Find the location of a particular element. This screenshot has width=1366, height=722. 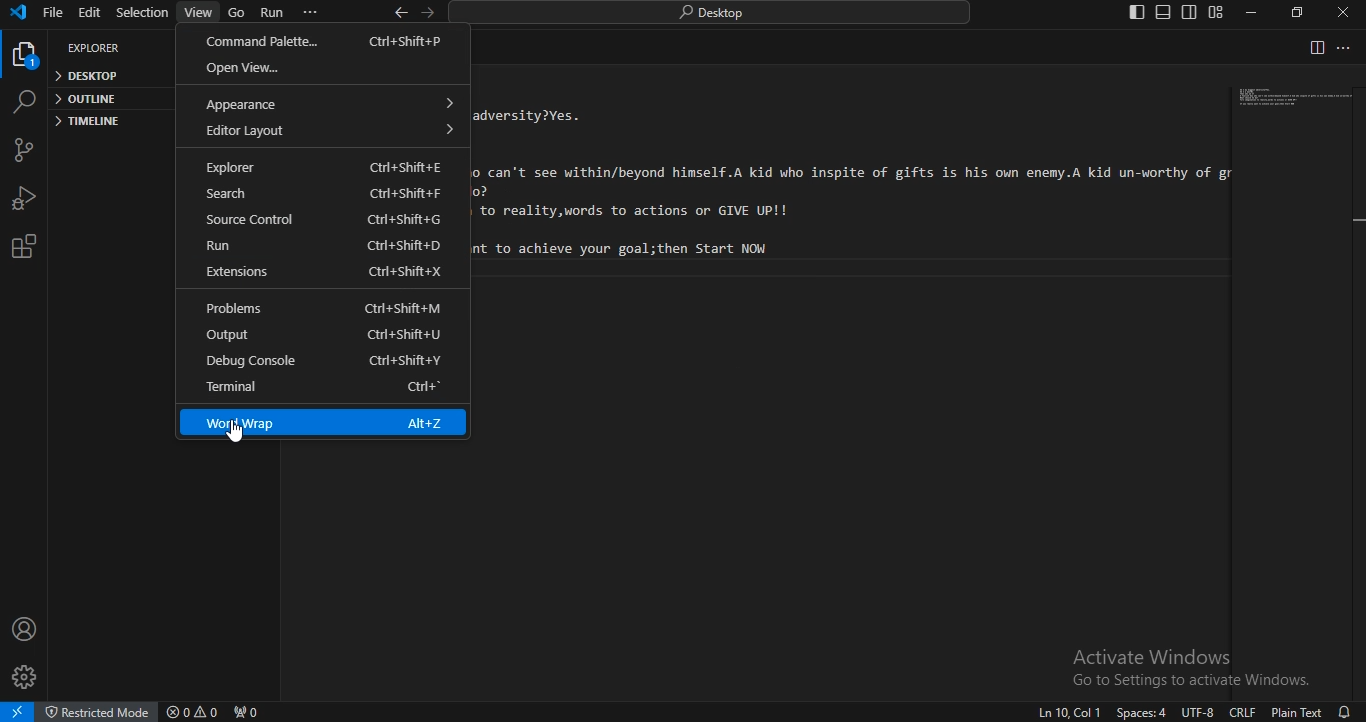

toggle primary side is located at coordinates (1139, 13).